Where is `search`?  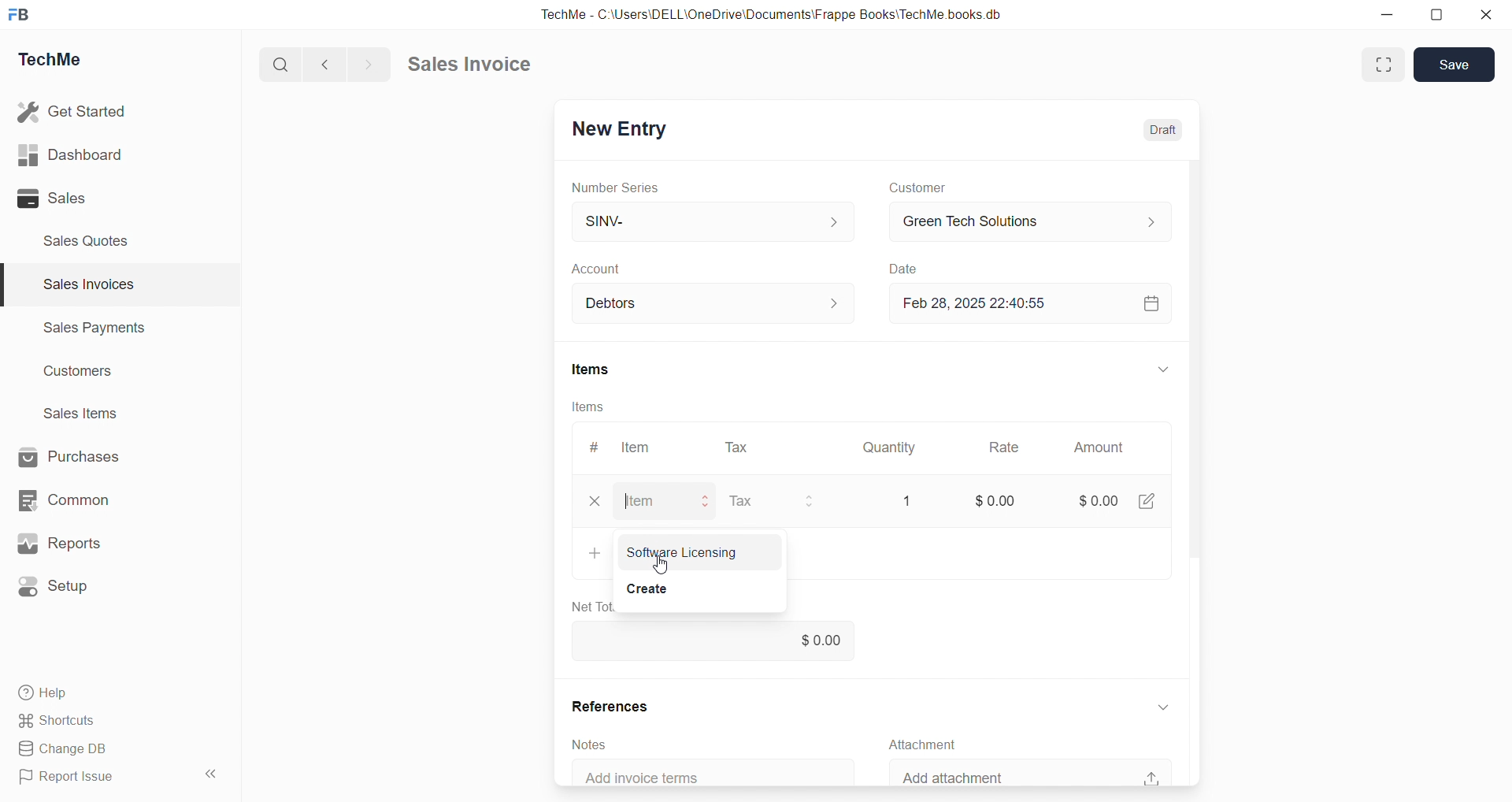 search is located at coordinates (278, 65).